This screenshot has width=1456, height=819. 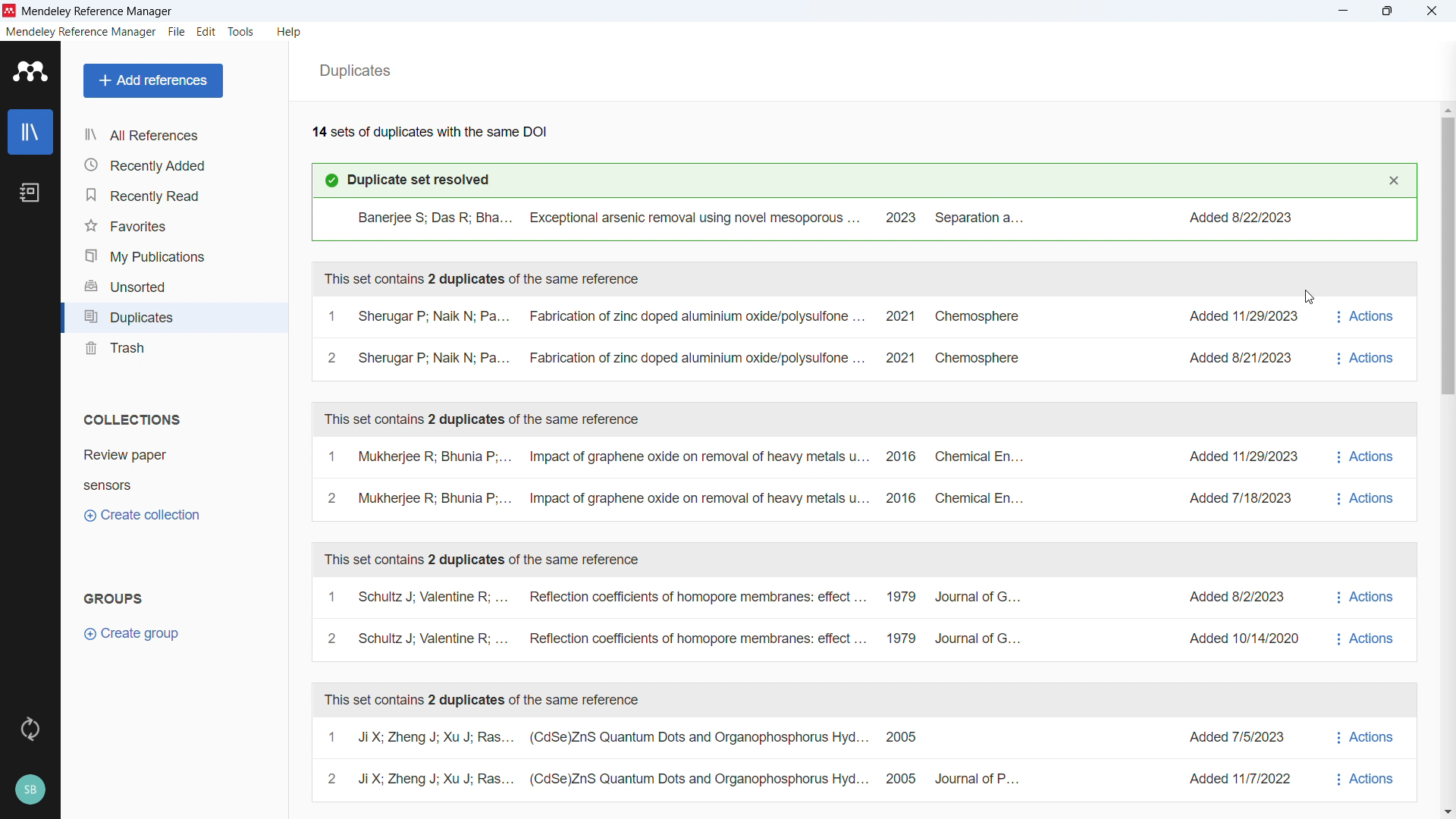 I want to click on Set of duplicates , so click(x=673, y=480).